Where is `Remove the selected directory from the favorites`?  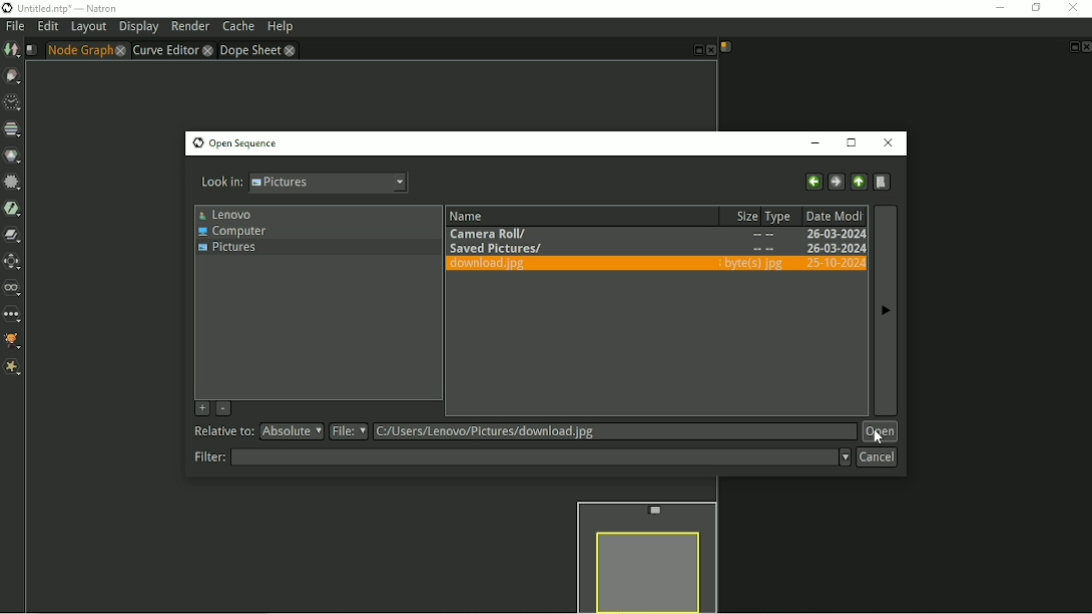
Remove the selected directory from the favorites is located at coordinates (222, 409).